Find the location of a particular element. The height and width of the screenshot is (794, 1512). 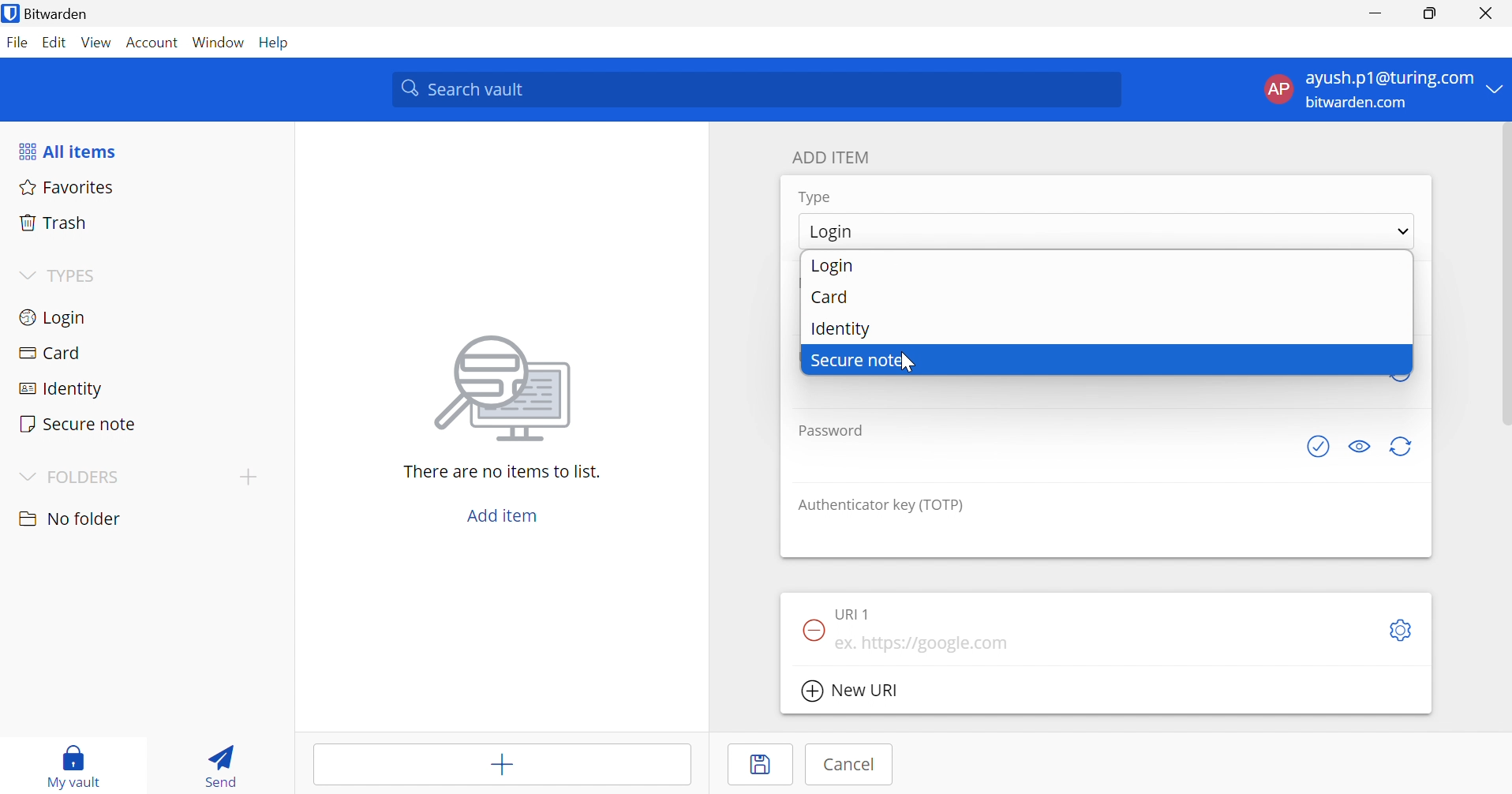

Password is located at coordinates (830, 432).